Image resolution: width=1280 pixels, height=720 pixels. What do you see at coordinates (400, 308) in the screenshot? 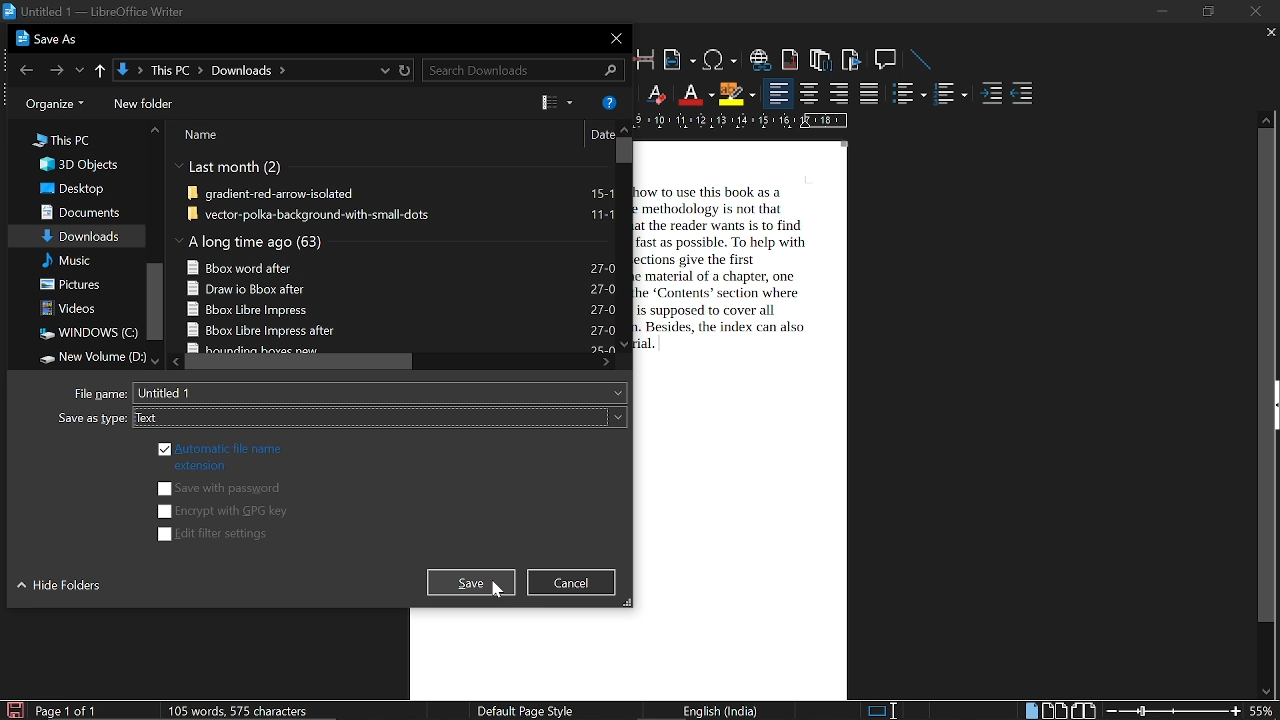
I see `Final Submission Atri 04-1` at bounding box center [400, 308].